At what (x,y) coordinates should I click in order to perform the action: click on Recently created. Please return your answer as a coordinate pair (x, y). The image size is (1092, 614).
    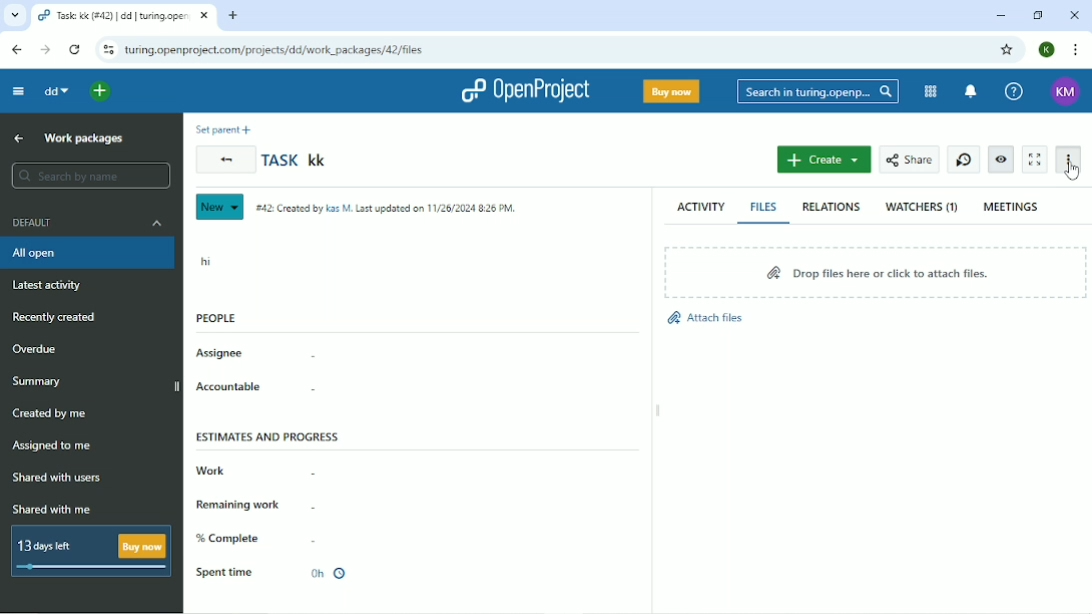
    Looking at the image, I should click on (56, 317).